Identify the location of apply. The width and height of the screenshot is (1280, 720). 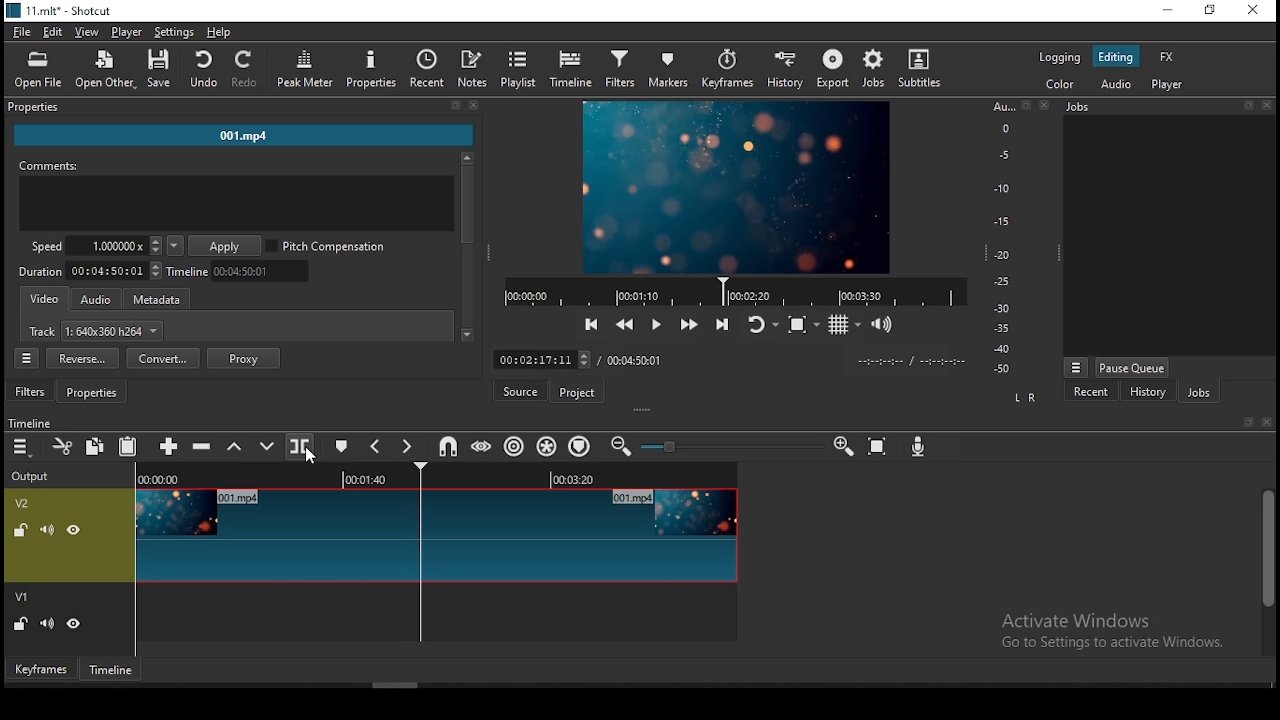
(227, 247).